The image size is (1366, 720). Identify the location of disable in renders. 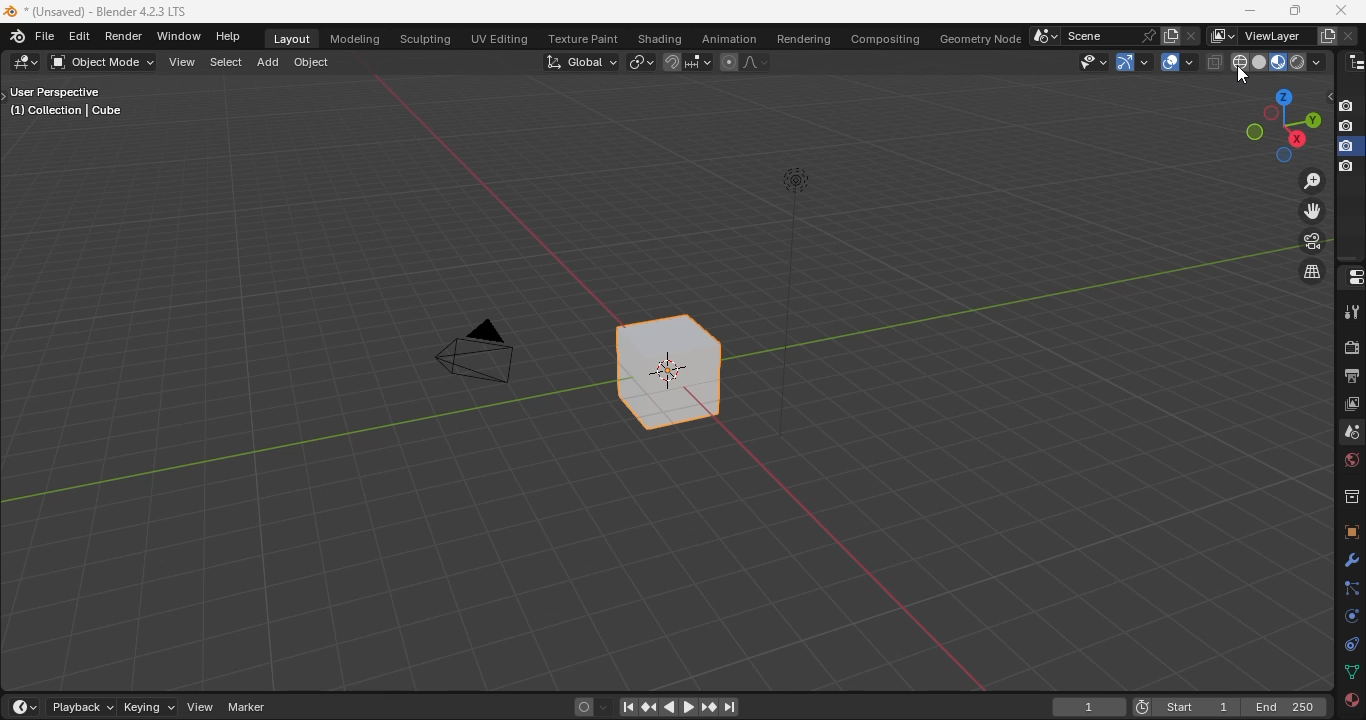
(1349, 168).